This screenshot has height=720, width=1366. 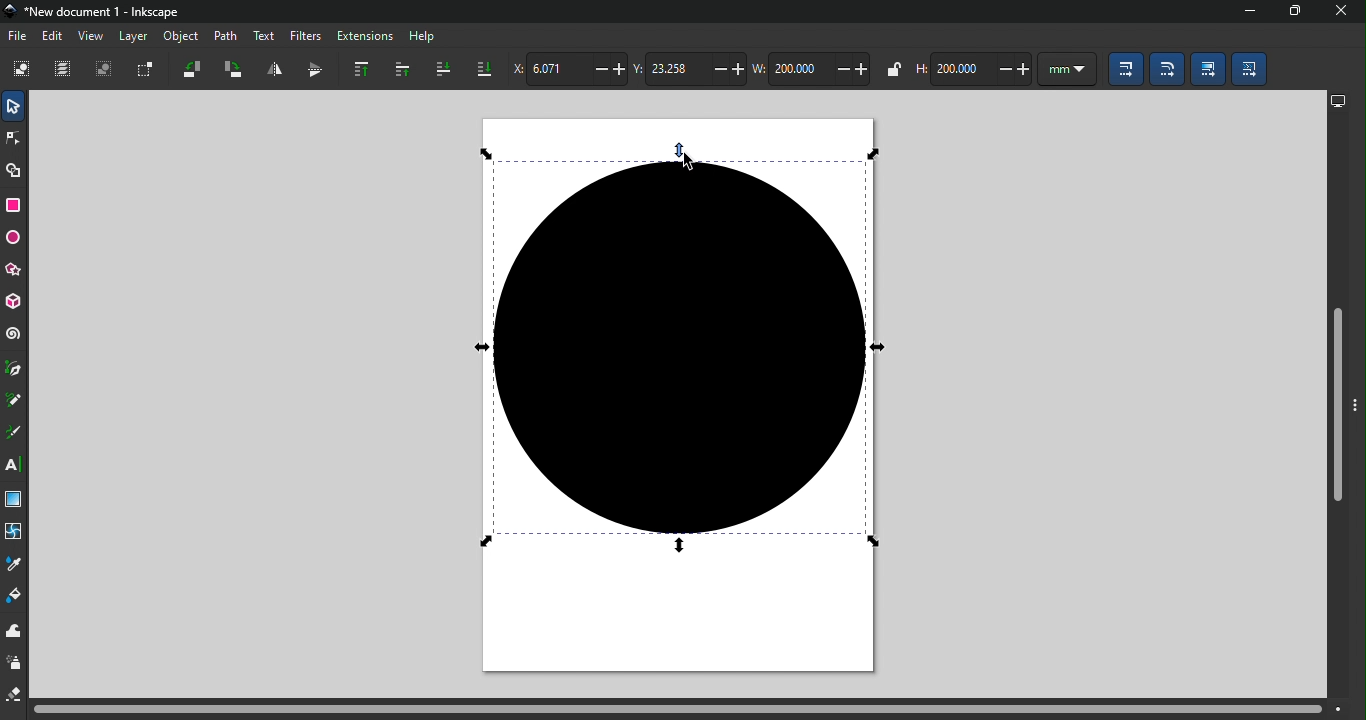 What do you see at coordinates (420, 34) in the screenshot?
I see `Help` at bounding box center [420, 34].